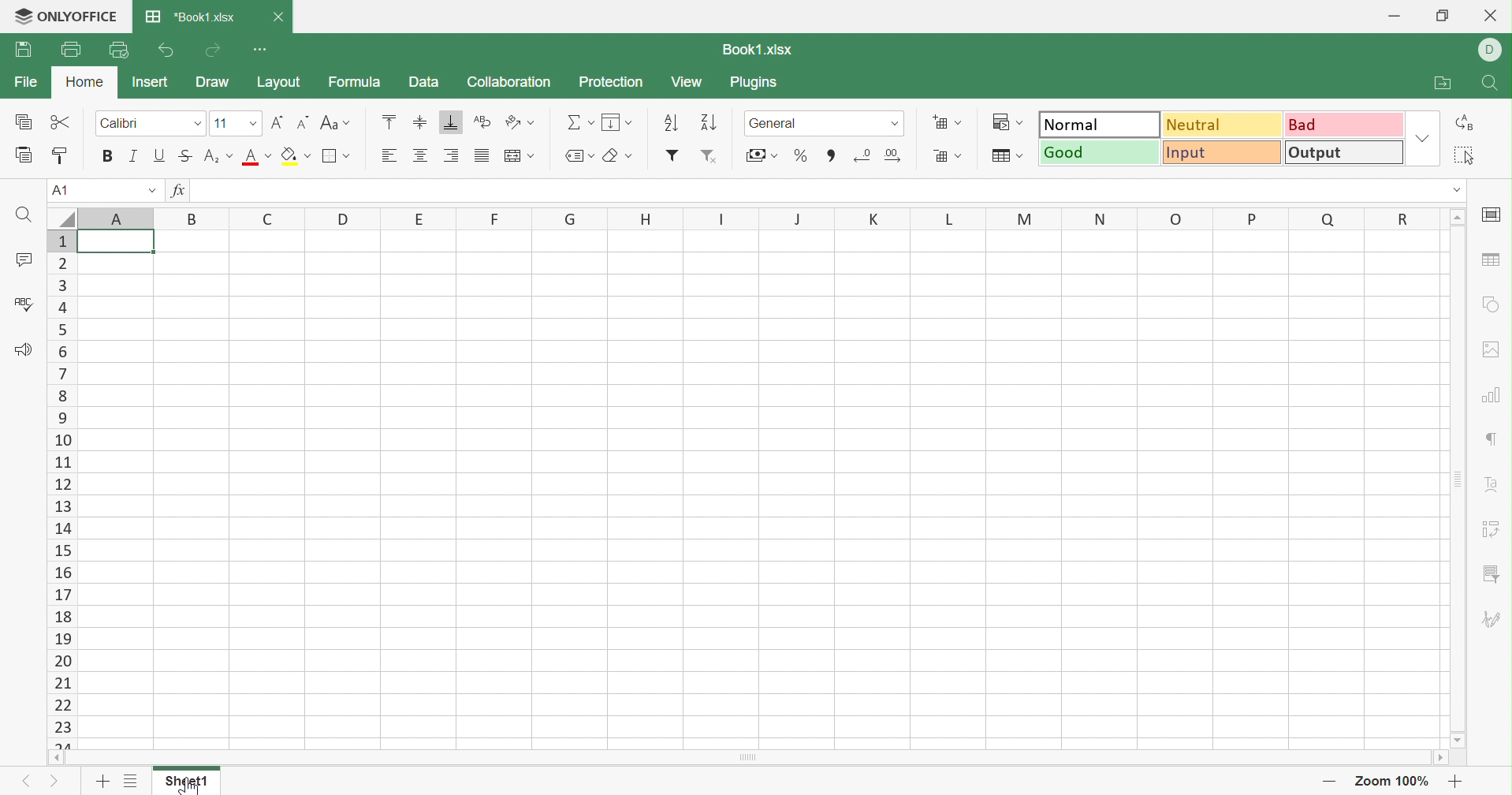  Describe the element at coordinates (1493, 14) in the screenshot. I see `Close` at that location.